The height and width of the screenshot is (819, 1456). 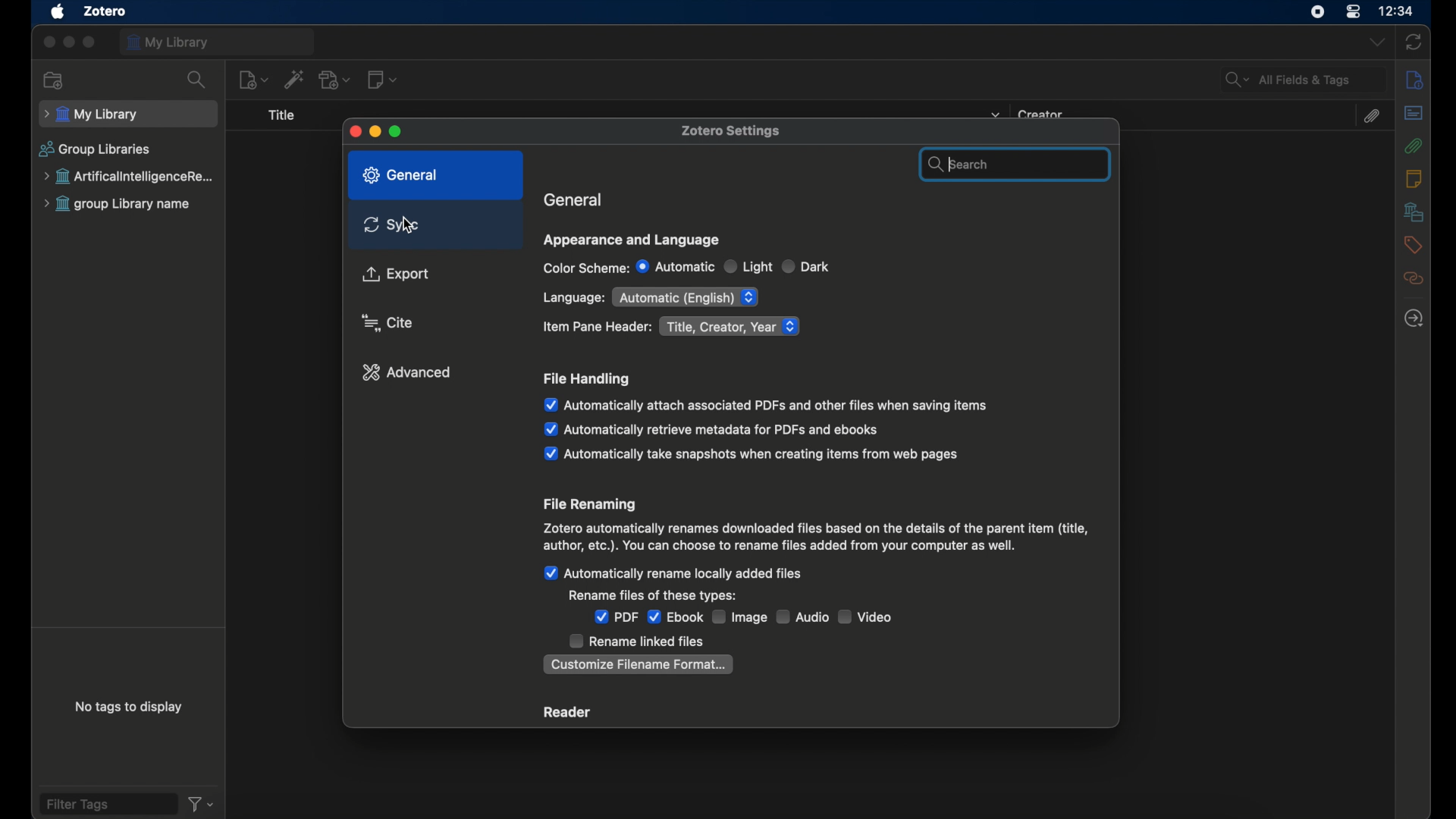 I want to click on appearance and language, so click(x=630, y=240).